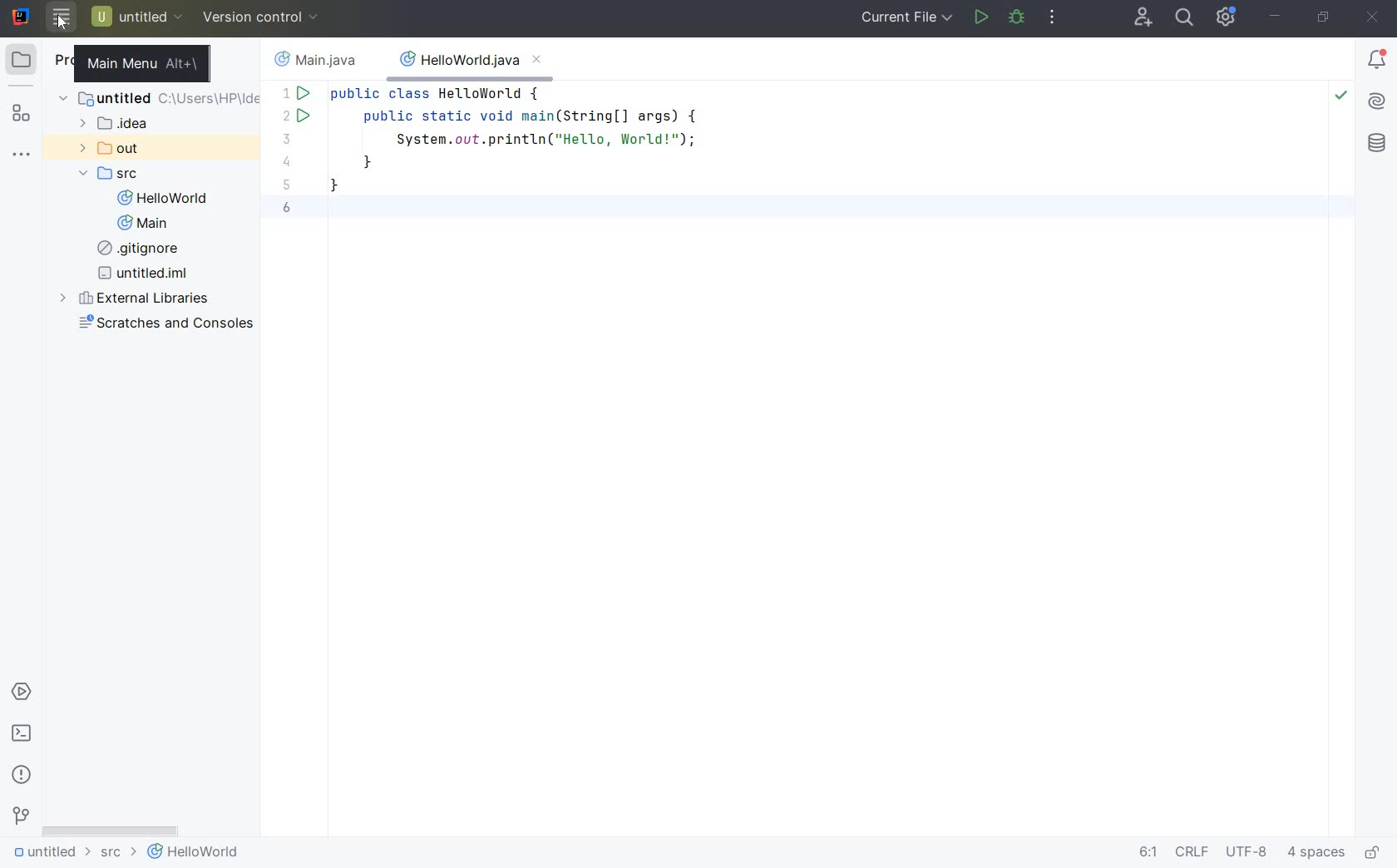  What do you see at coordinates (264, 16) in the screenshot?
I see `version control` at bounding box center [264, 16].